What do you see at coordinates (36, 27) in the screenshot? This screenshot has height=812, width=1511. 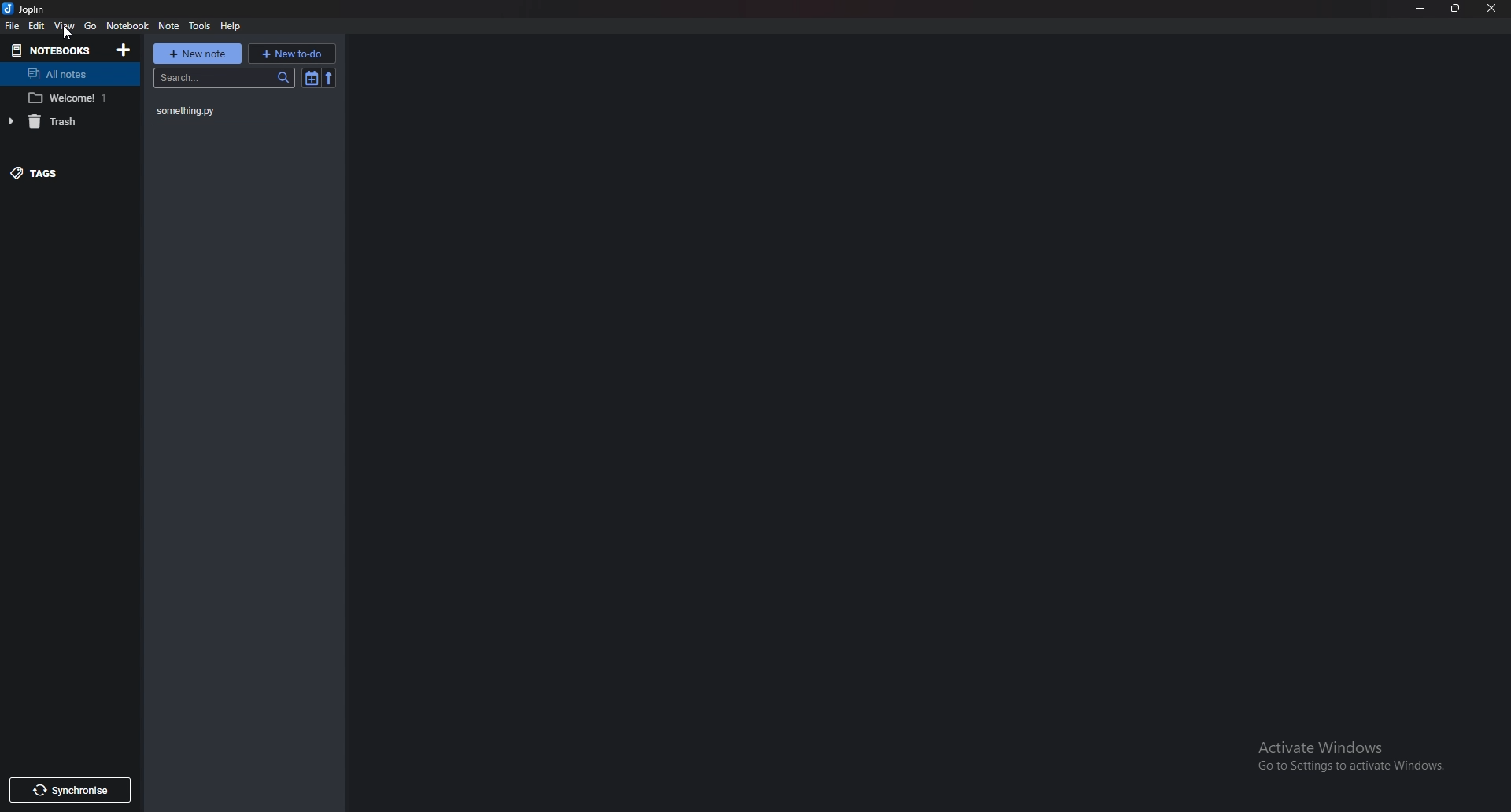 I see `edit` at bounding box center [36, 27].